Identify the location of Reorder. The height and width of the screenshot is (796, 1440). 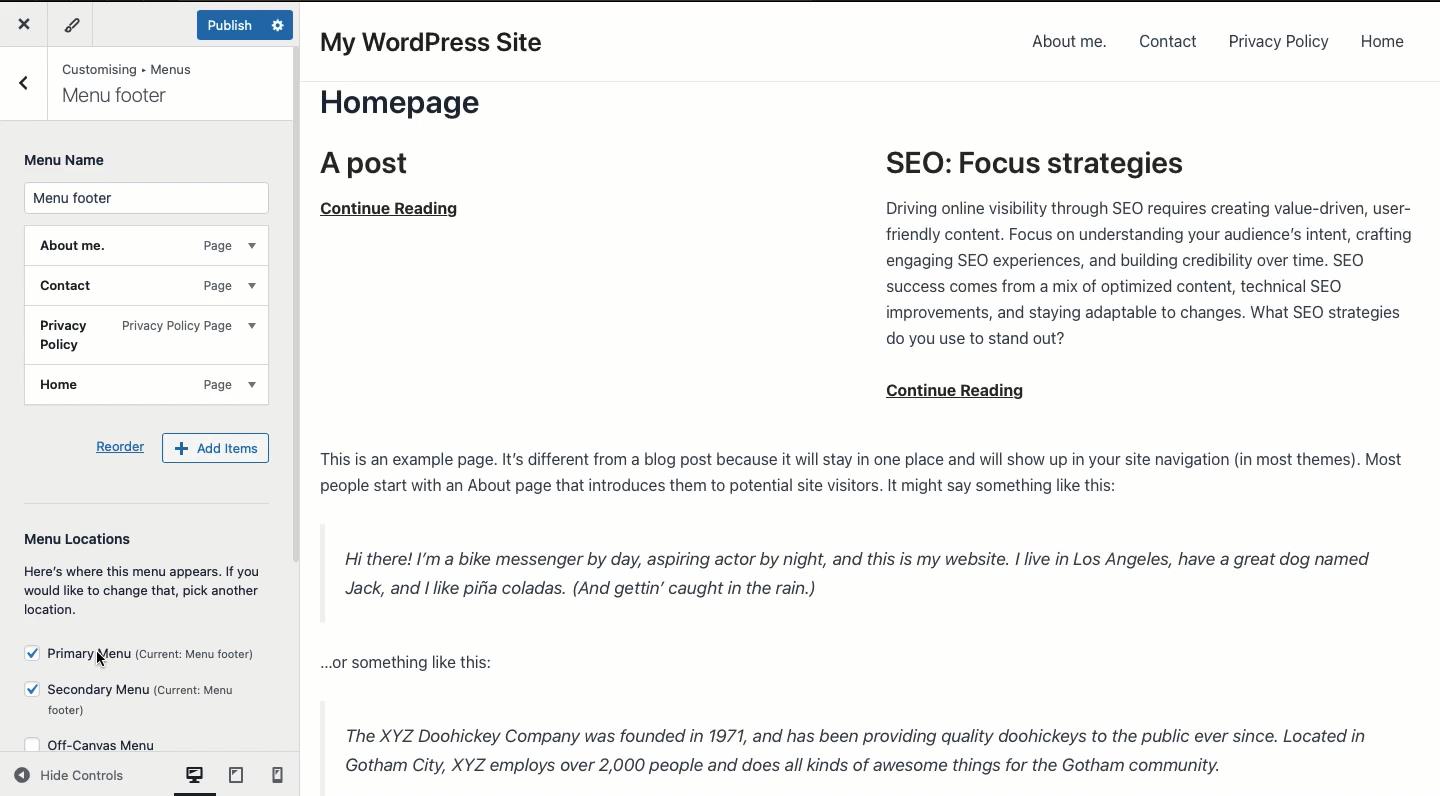
(121, 445).